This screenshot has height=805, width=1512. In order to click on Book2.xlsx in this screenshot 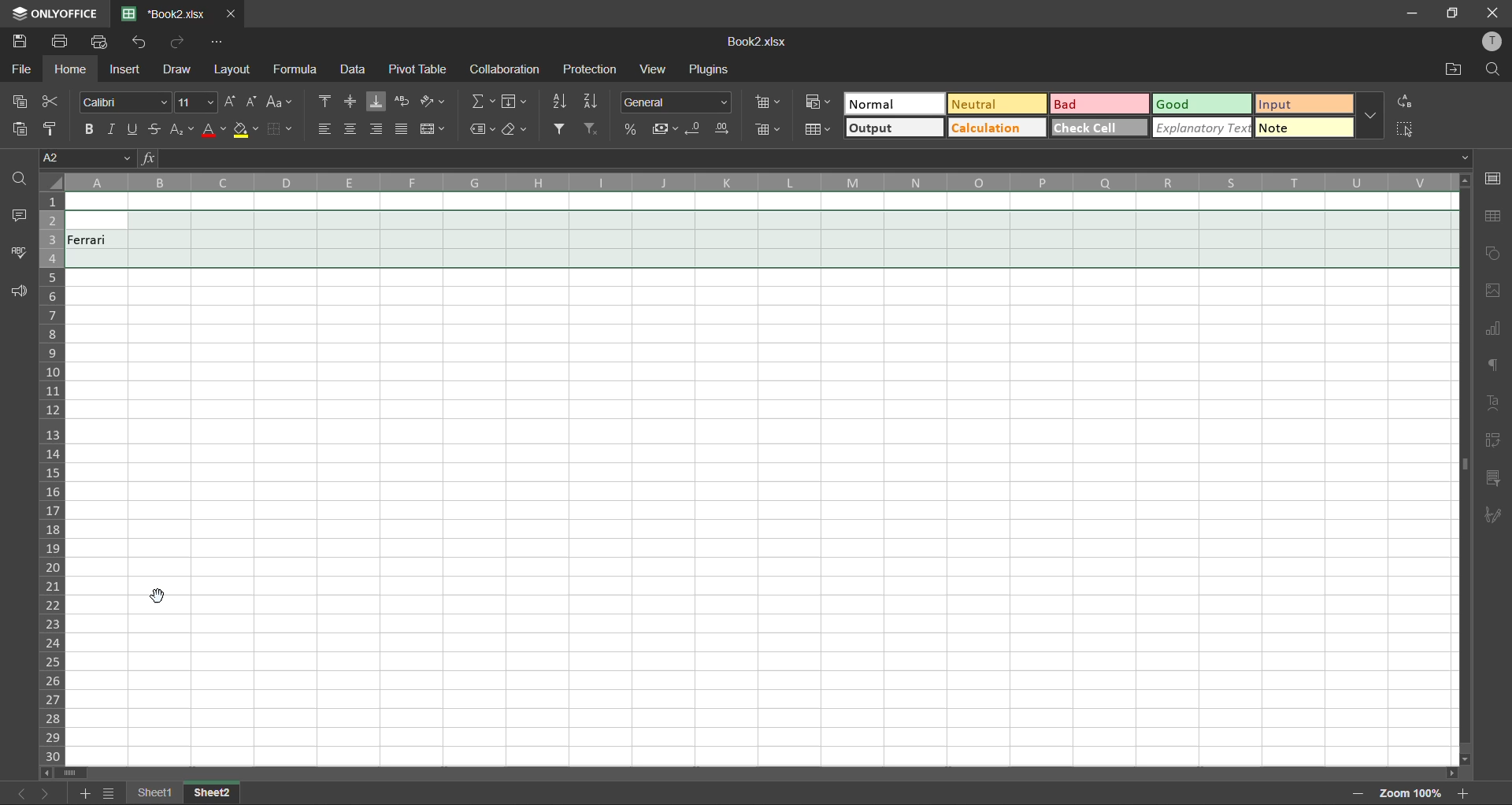, I will do `click(758, 42)`.